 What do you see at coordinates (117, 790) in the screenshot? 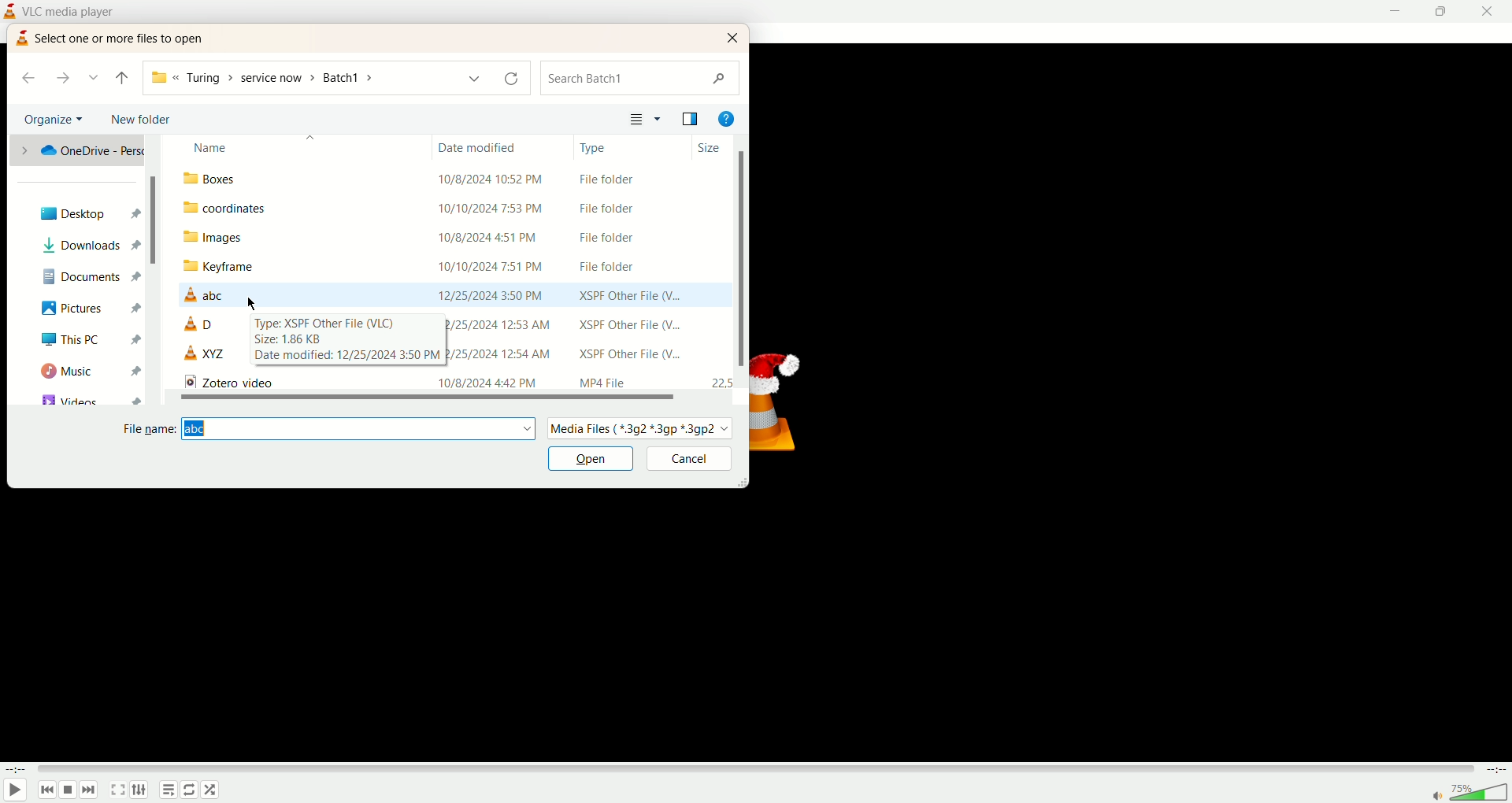
I see `fullscreen` at bounding box center [117, 790].